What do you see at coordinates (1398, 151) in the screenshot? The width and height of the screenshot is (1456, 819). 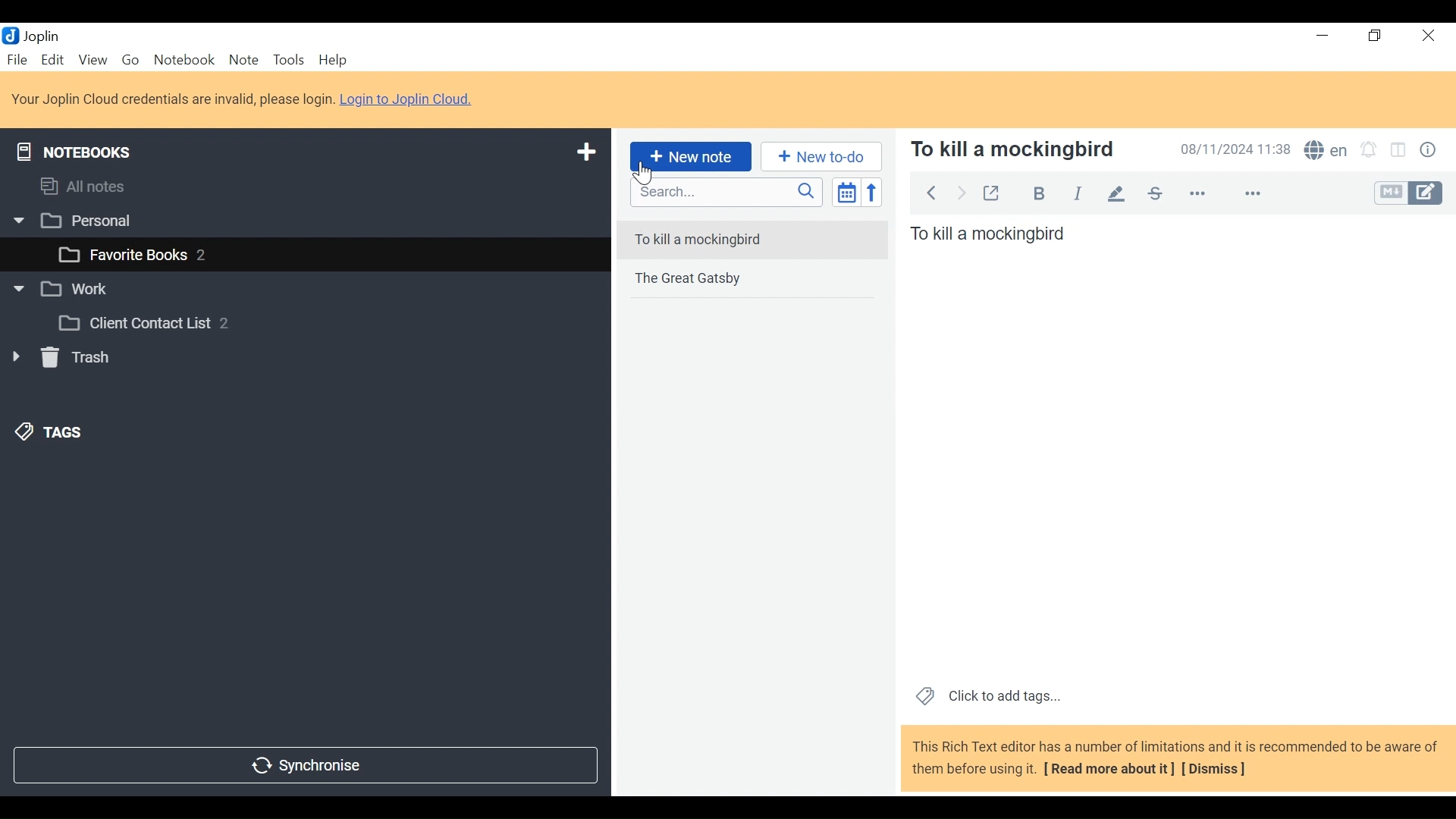 I see `Toggle display layout` at bounding box center [1398, 151].